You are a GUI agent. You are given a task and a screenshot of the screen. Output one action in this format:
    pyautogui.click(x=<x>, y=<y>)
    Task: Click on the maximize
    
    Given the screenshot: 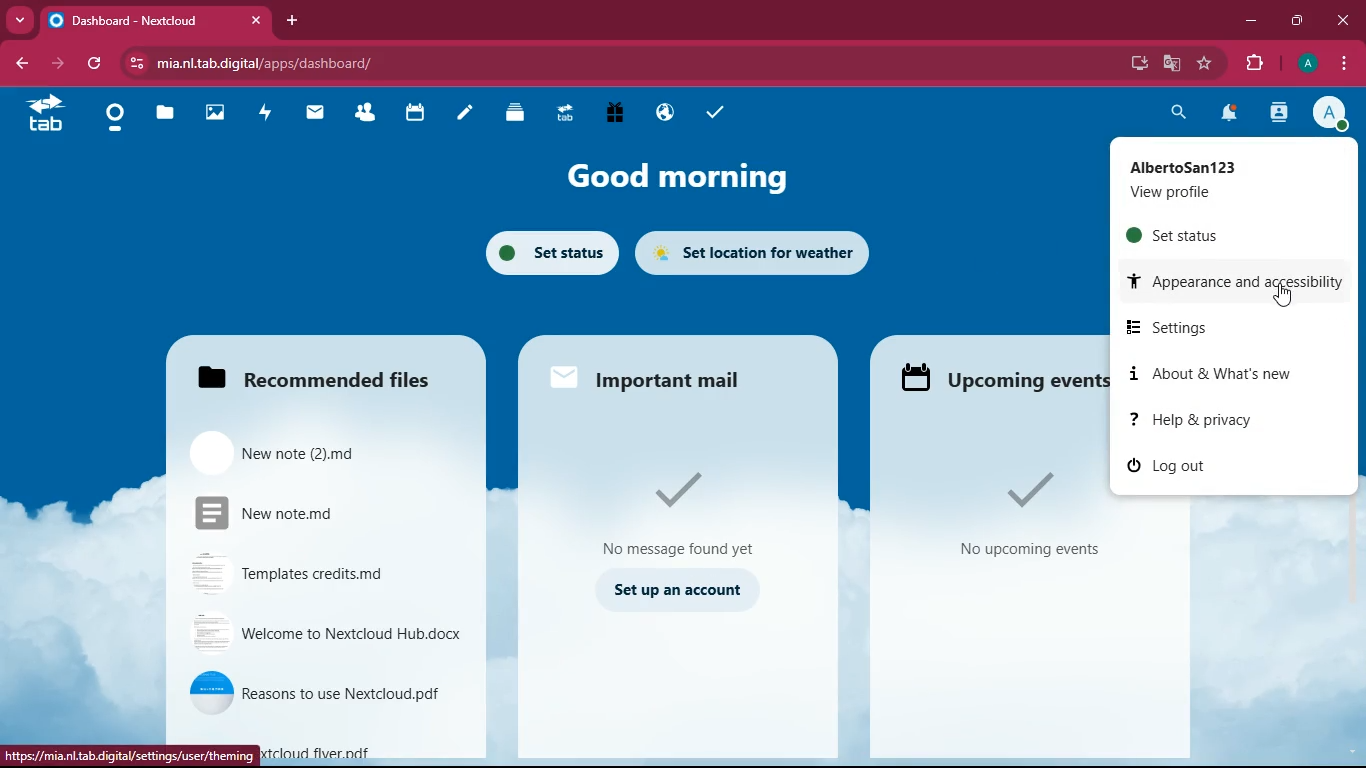 What is the action you would take?
    pyautogui.click(x=1299, y=21)
    